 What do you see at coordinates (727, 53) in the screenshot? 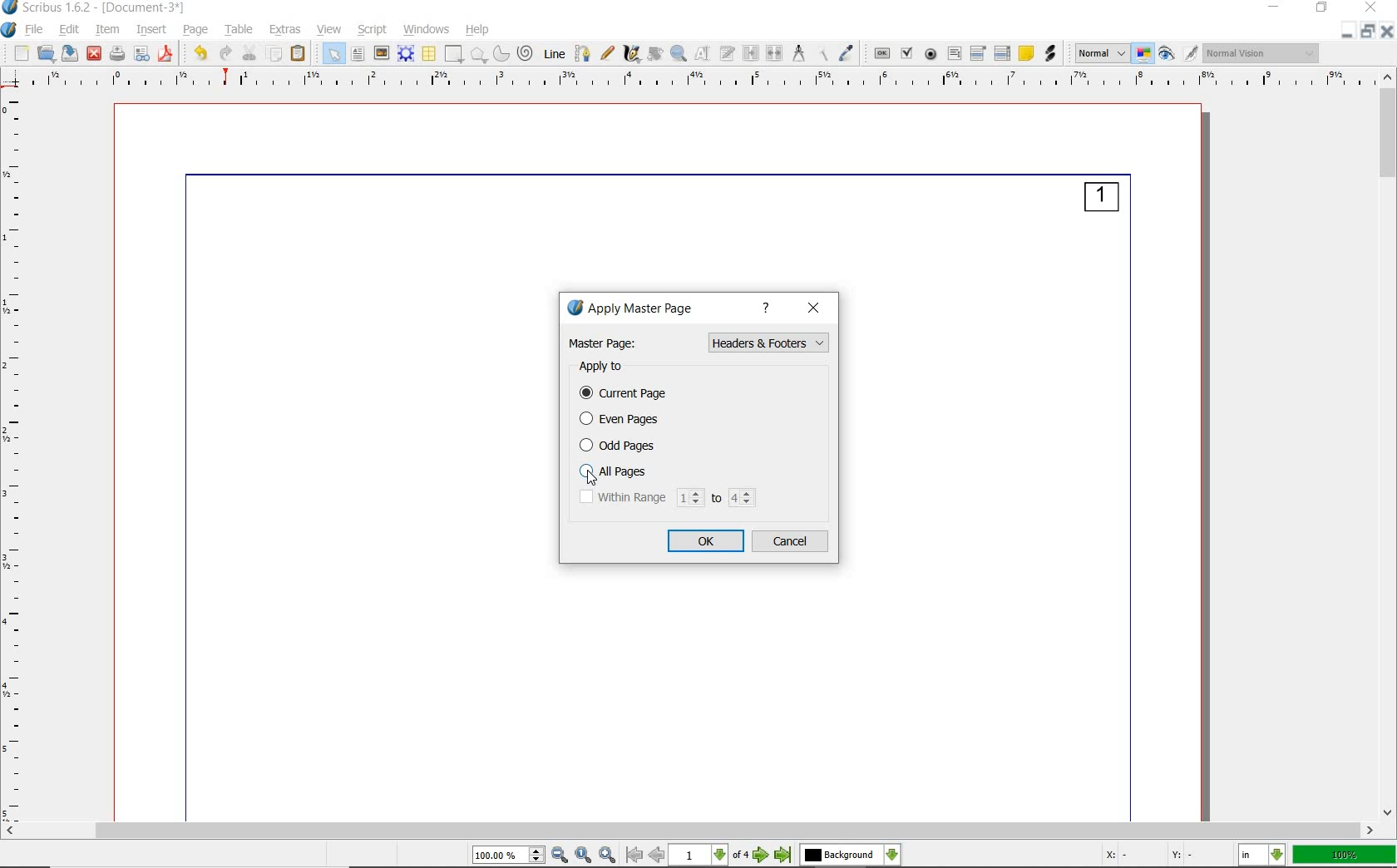
I see `edit text with story editor` at bounding box center [727, 53].